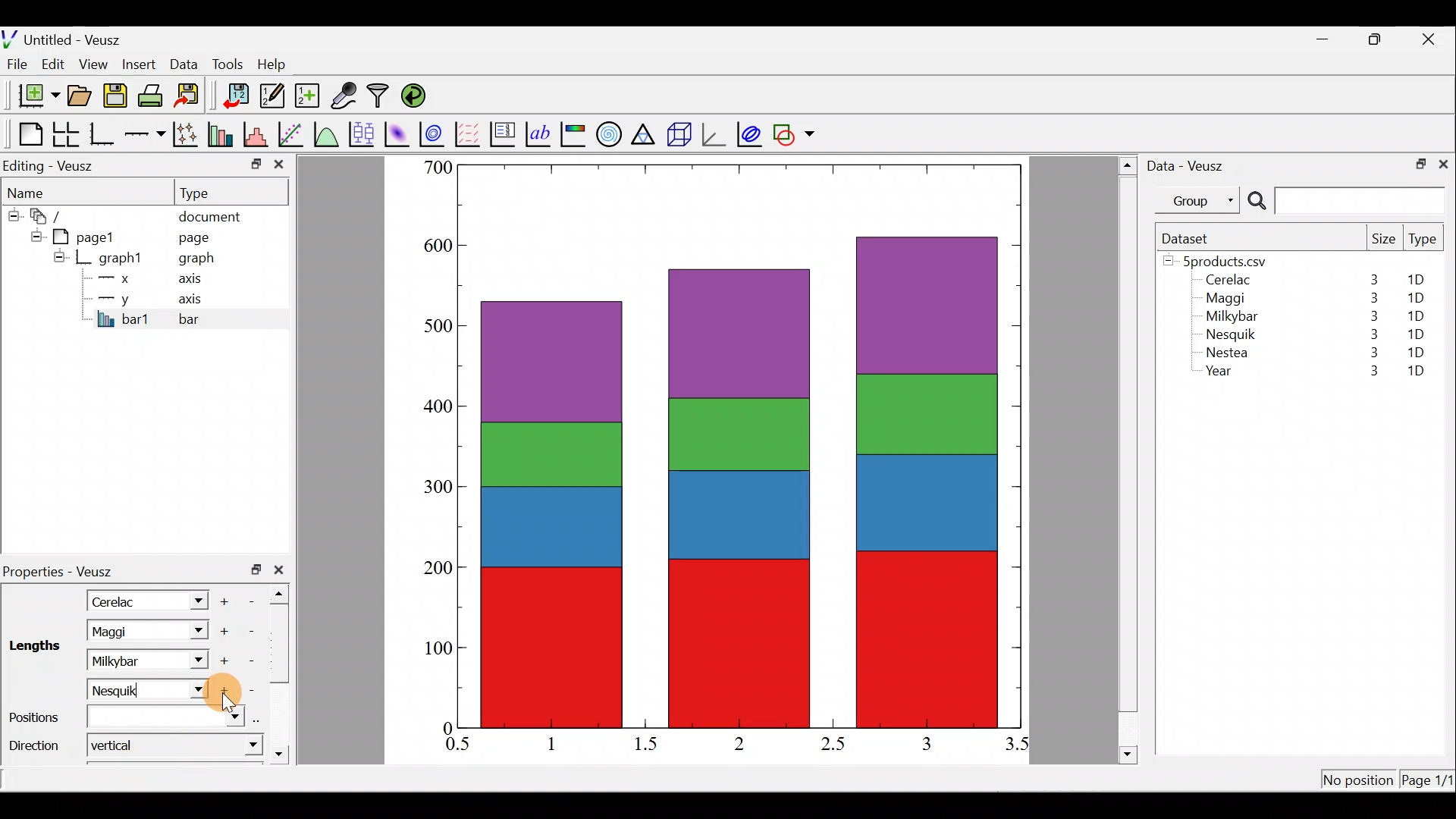 This screenshot has height=819, width=1456. What do you see at coordinates (1370, 355) in the screenshot?
I see `3` at bounding box center [1370, 355].